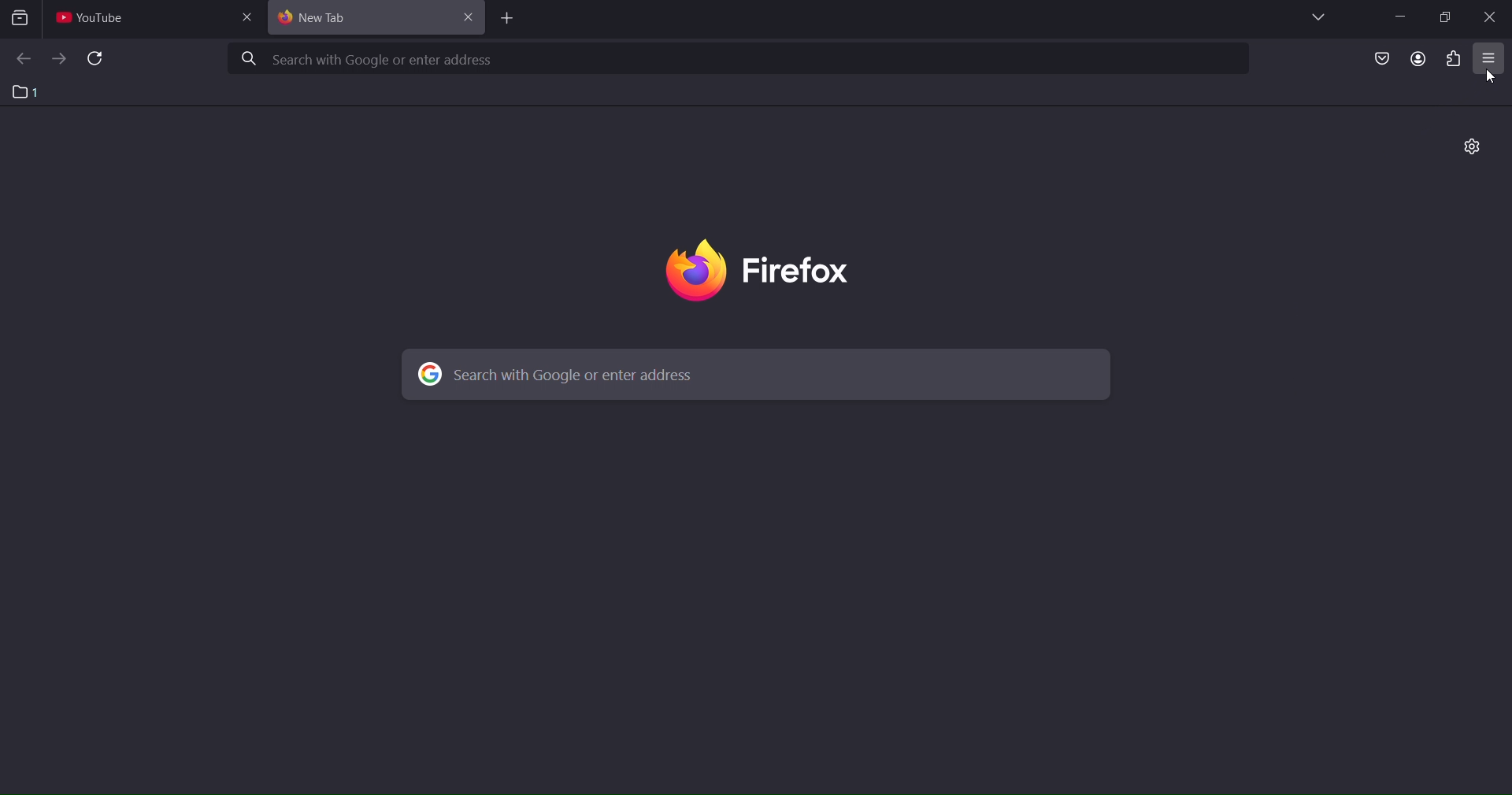 The height and width of the screenshot is (795, 1512). What do you see at coordinates (750, 374) in the screenshot?
I see `search with google or enter address` at bounding box center [750, 374].